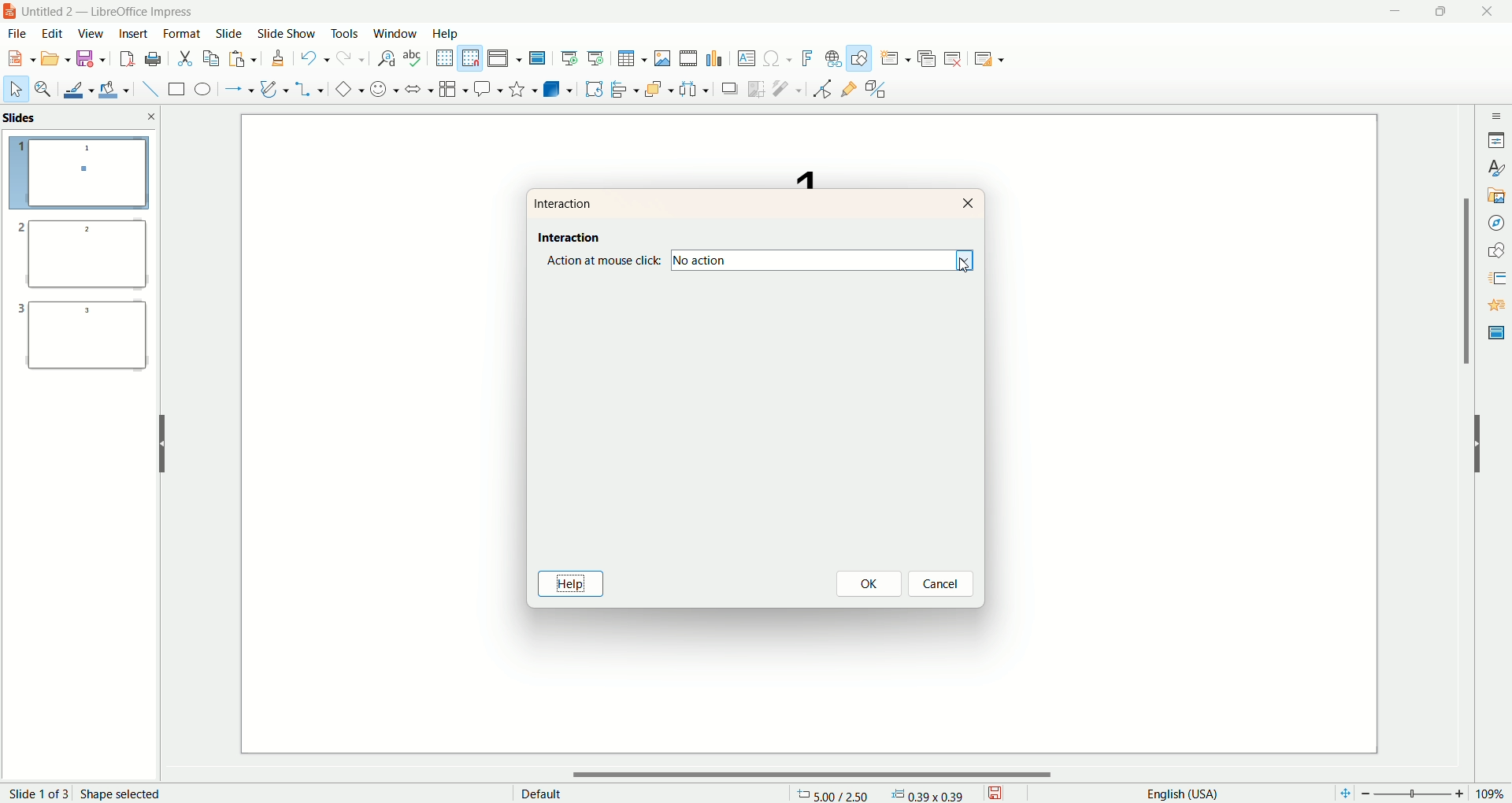  What do you see at coordinates (381, 90) in the screenshot?
I see `symbol shapes` at bounding box center [381, 90].